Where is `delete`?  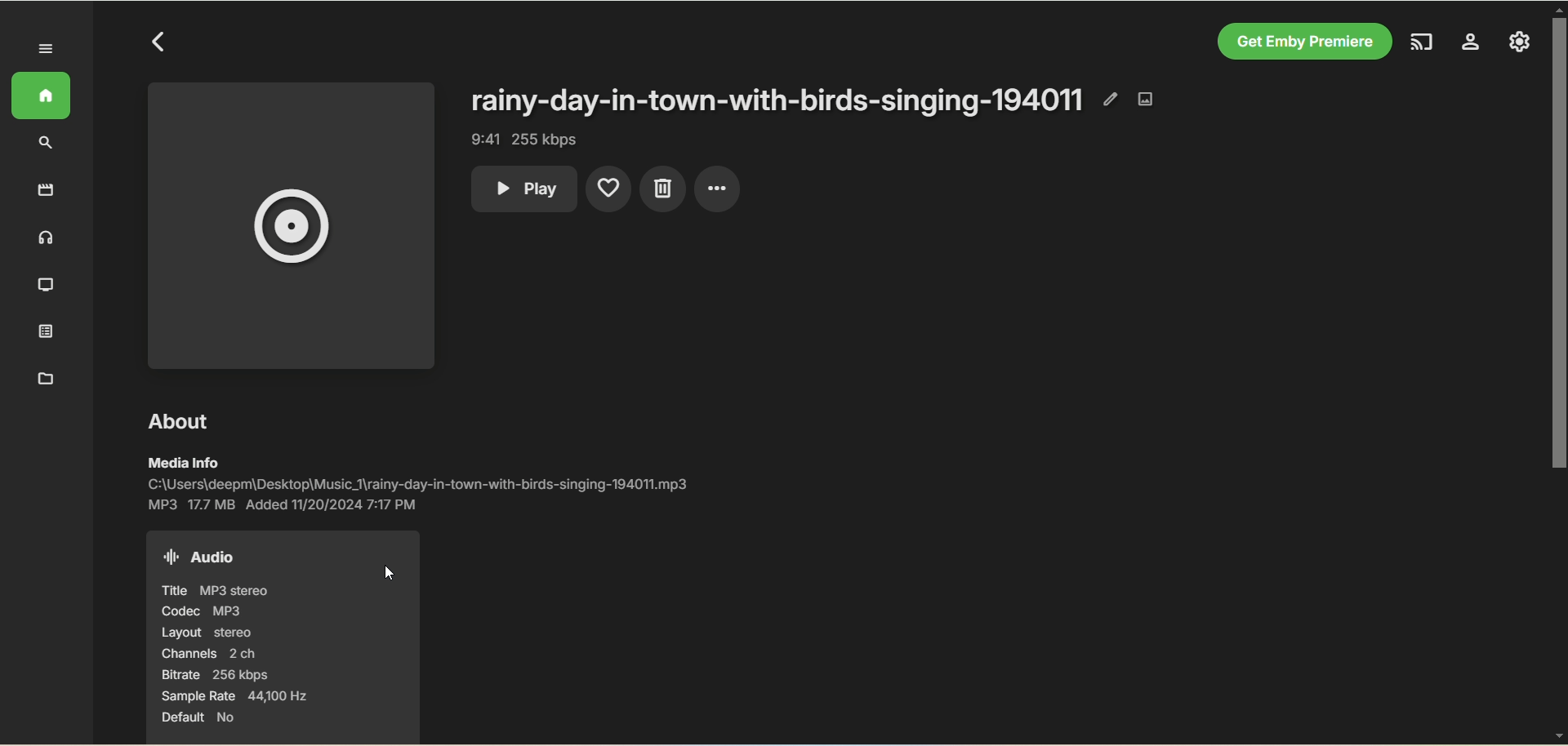
delete is located at coordinates (668, 188).